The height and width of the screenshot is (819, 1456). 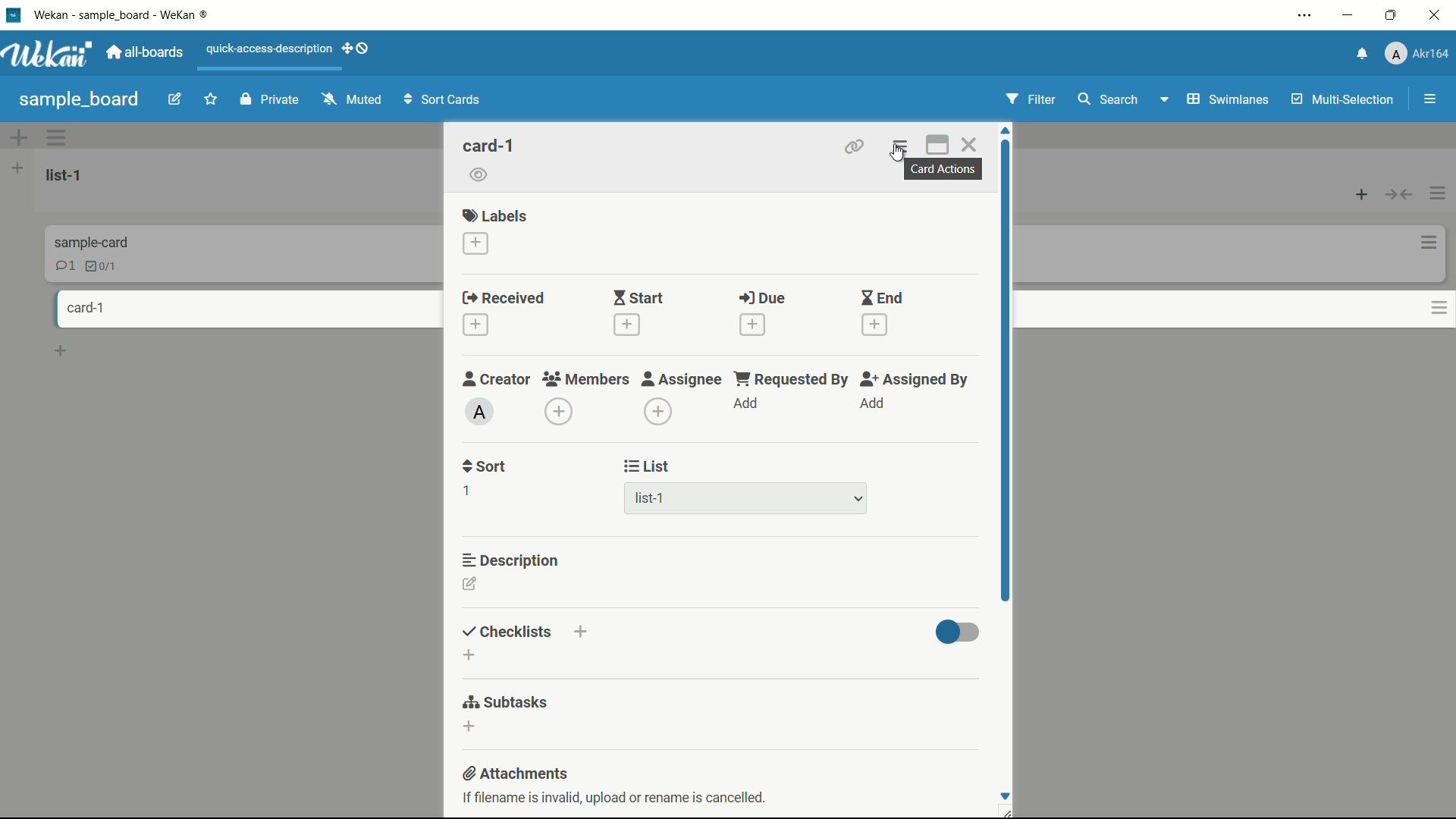 What do you see at coordinates (873, 404) in the screenshot?
I see `add` at bounding box center [873, 404].